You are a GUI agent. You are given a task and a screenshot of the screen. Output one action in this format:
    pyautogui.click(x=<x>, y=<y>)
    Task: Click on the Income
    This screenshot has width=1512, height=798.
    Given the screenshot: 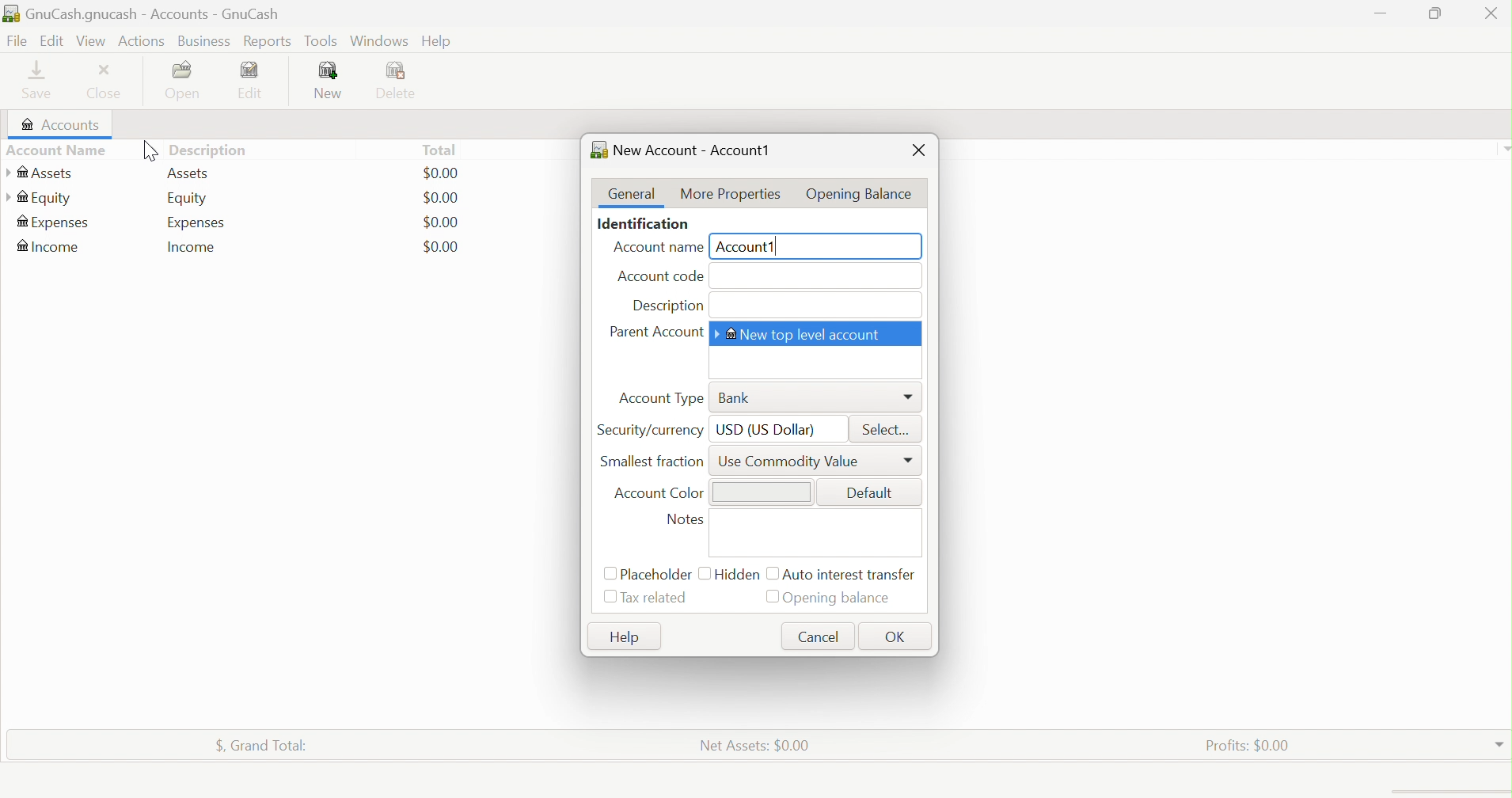 What is the action you would take?
    pyautogui.click(x=51, y=246)
    